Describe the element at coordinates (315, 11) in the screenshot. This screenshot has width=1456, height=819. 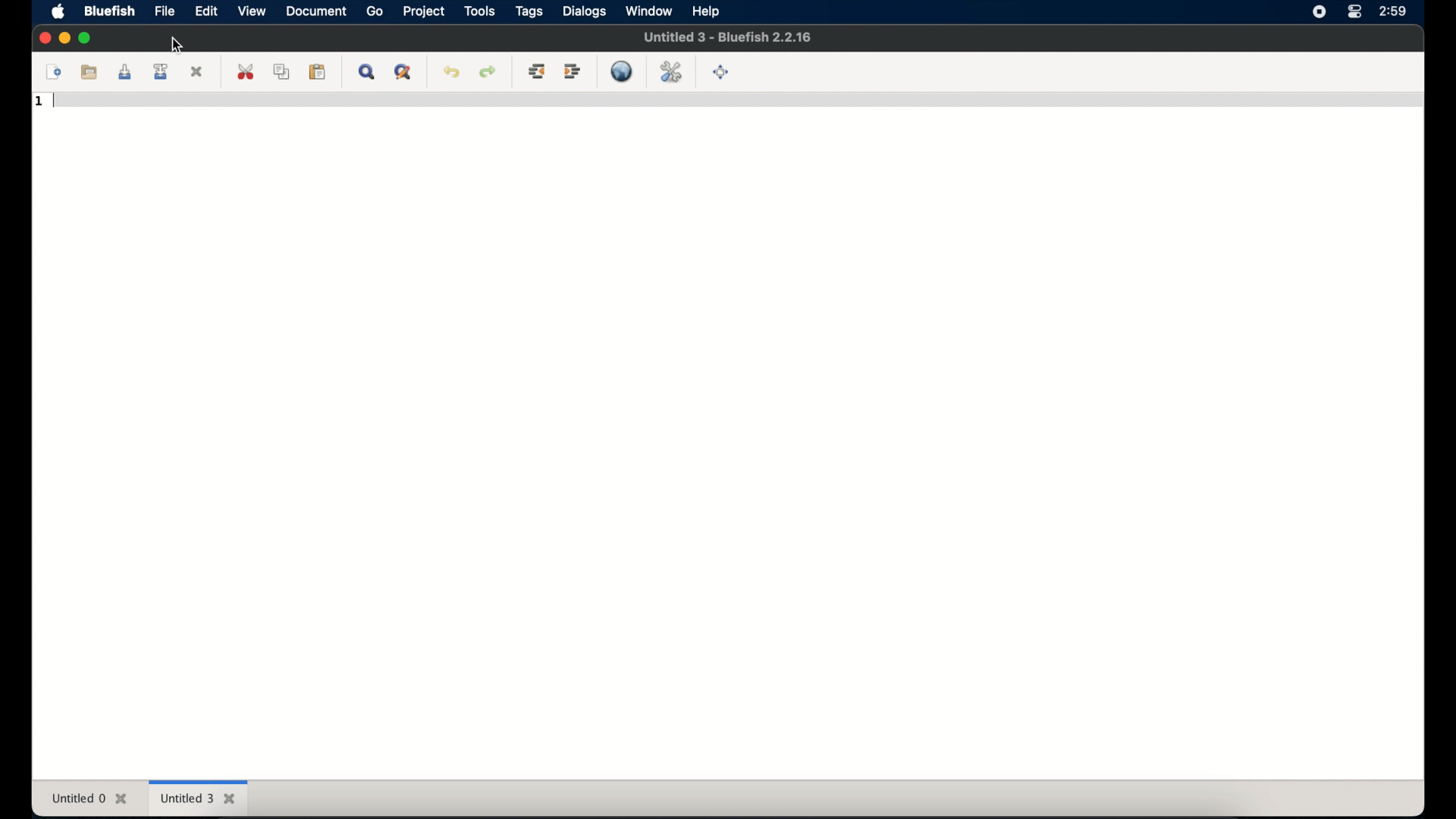
I see `document` at that location.